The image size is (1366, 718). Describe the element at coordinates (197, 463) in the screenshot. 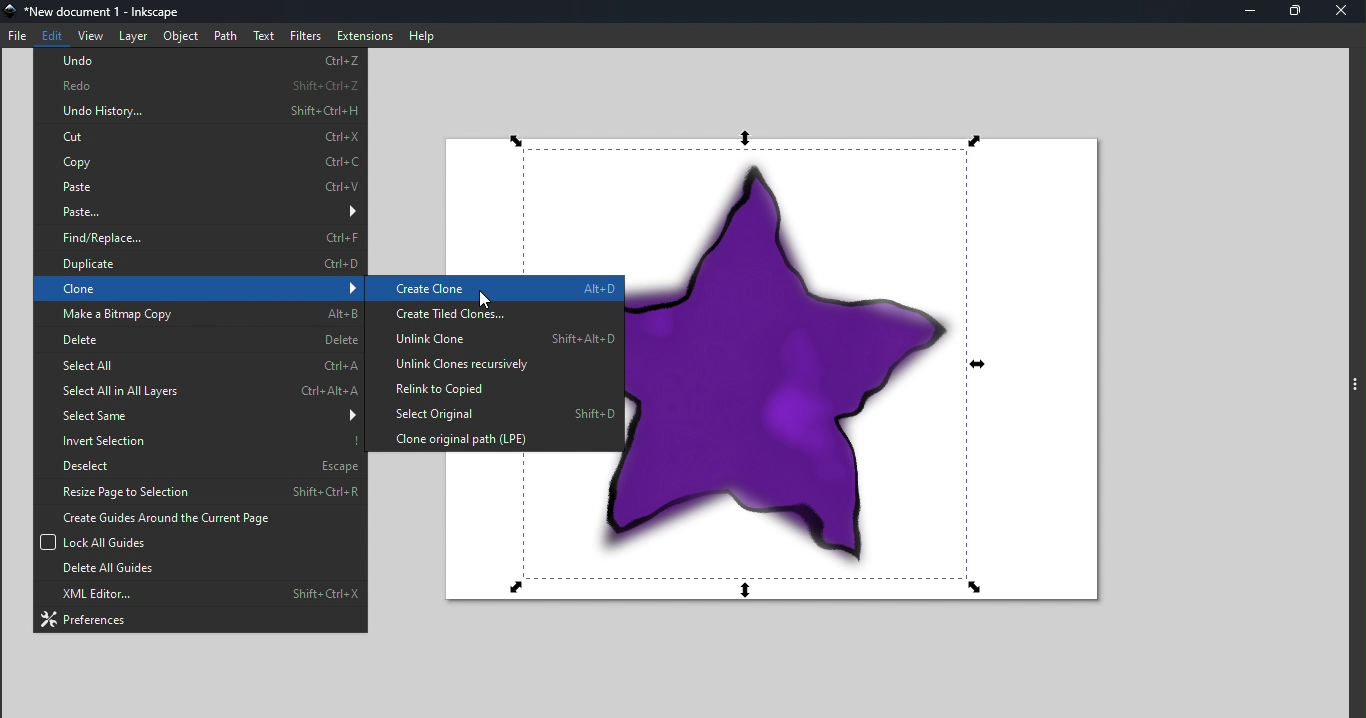

I see `Deselect` at that location.